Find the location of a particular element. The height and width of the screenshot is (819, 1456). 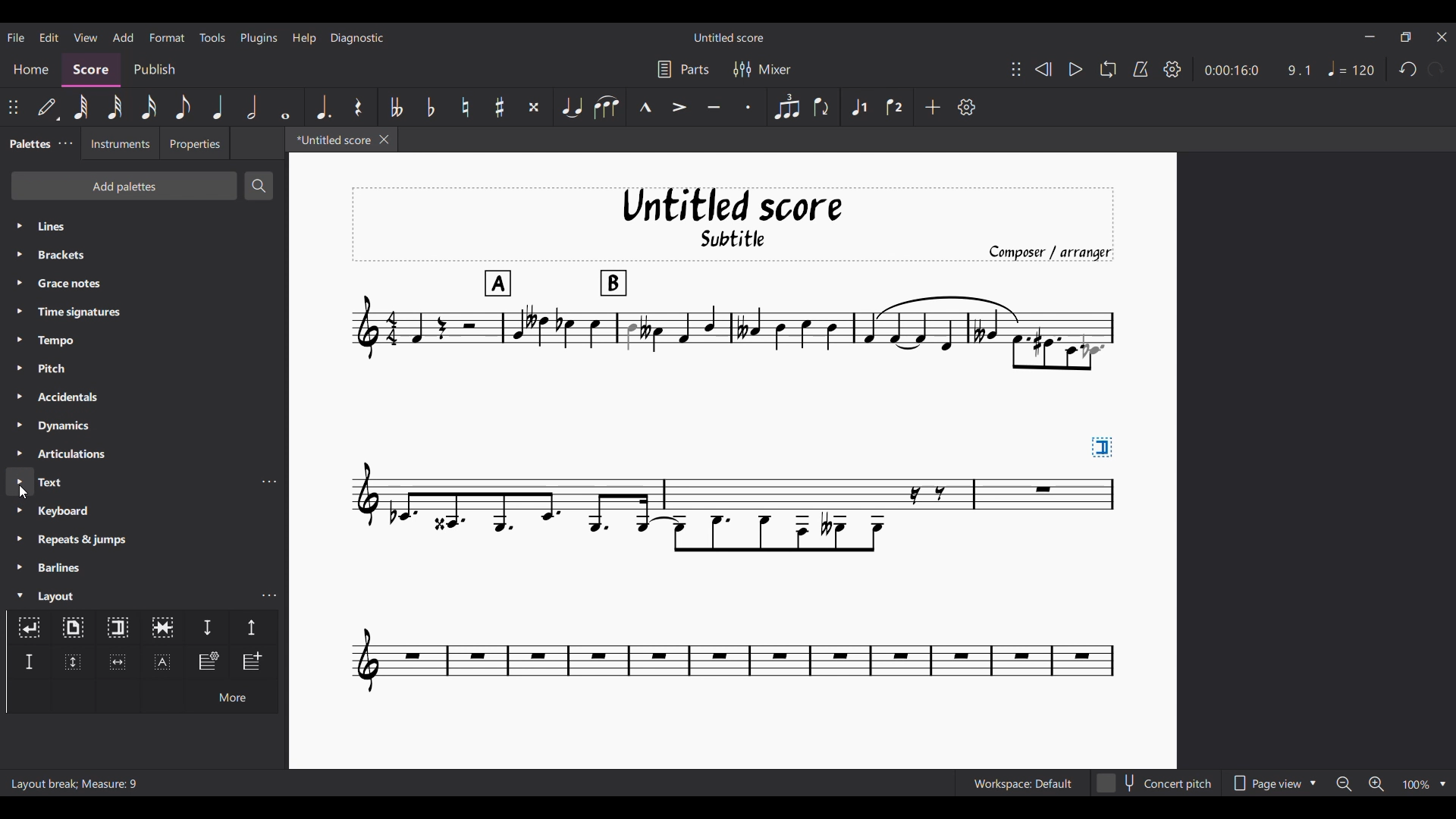

Search is located at coordinates (257, 186).